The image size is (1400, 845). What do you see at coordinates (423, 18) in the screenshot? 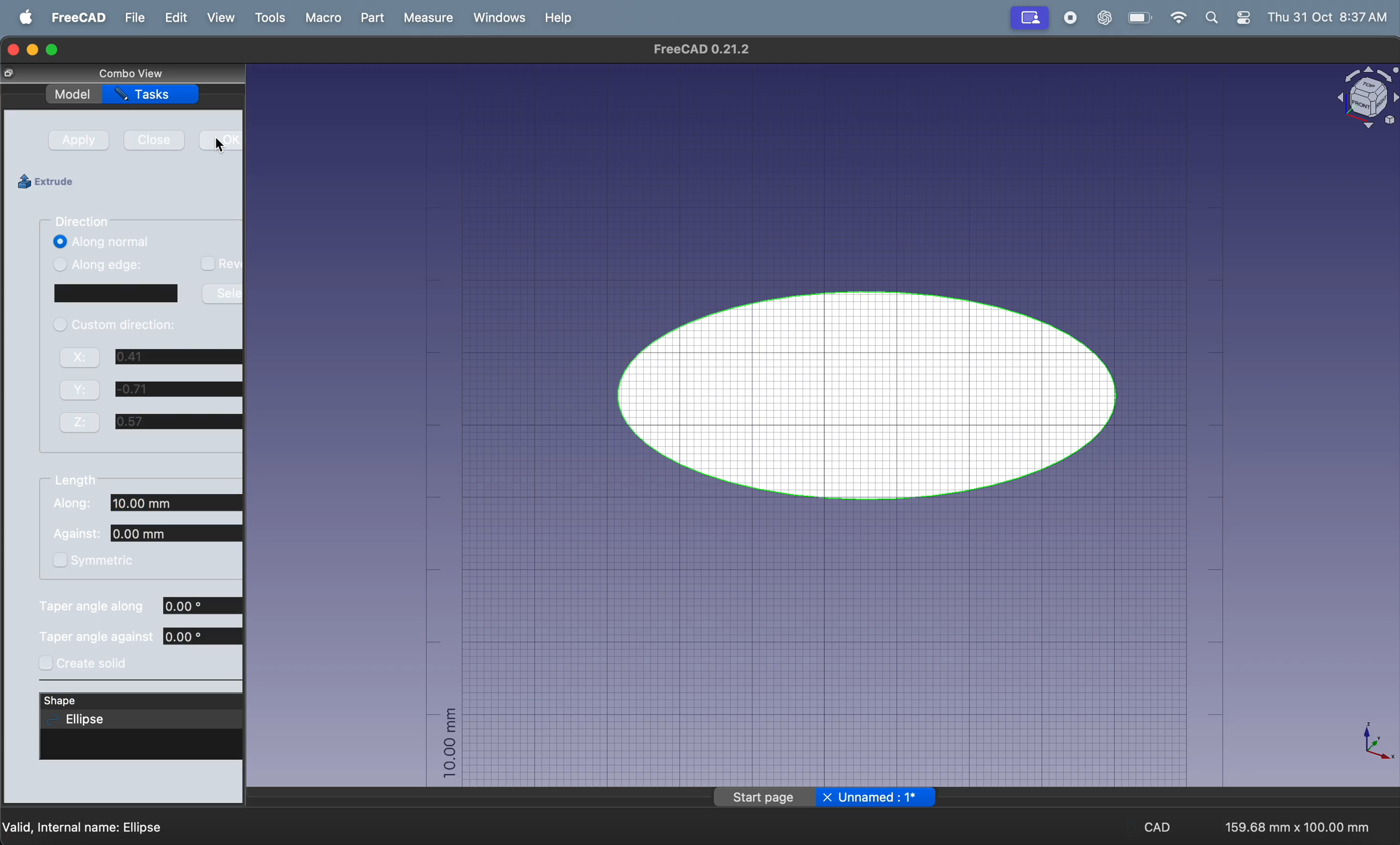
I see `measure` at bounding box center [423, 18].